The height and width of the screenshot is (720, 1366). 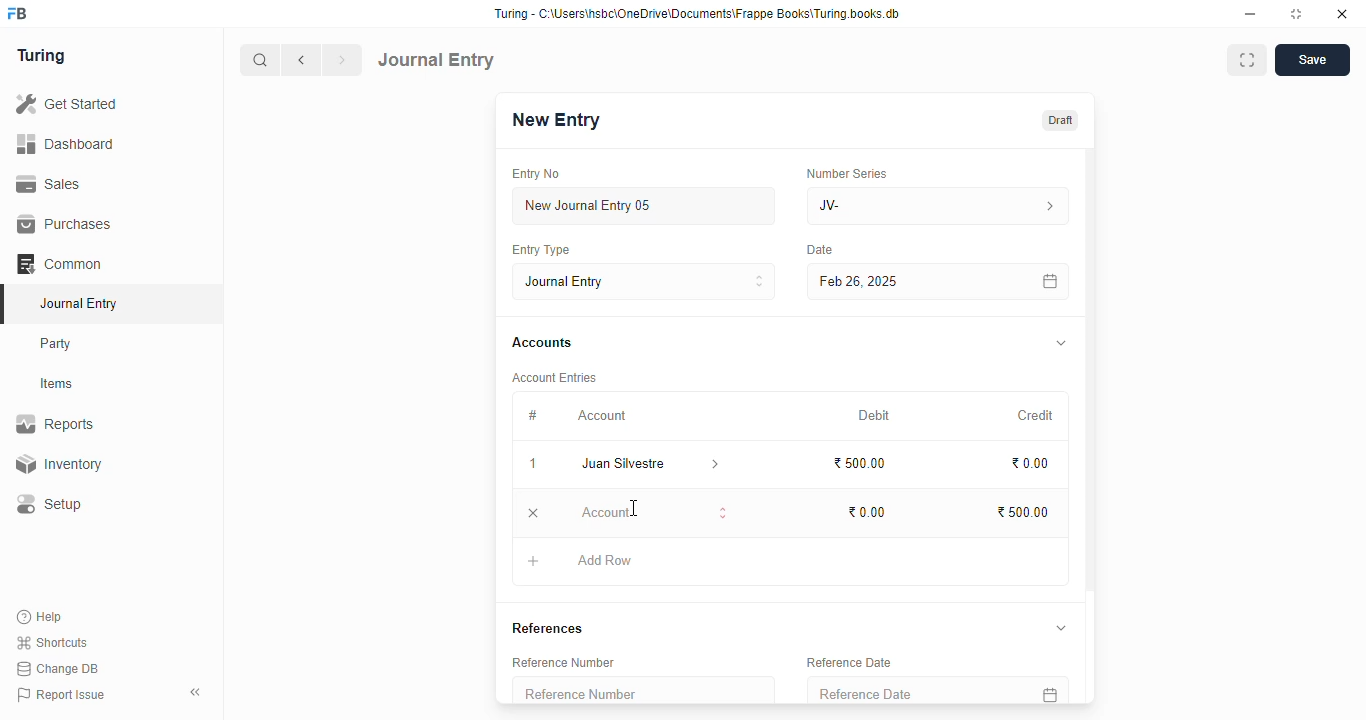 What do you see at coordinates (56, 424) in the screenshot?
I see `reports` at bounding box center [56, 424].